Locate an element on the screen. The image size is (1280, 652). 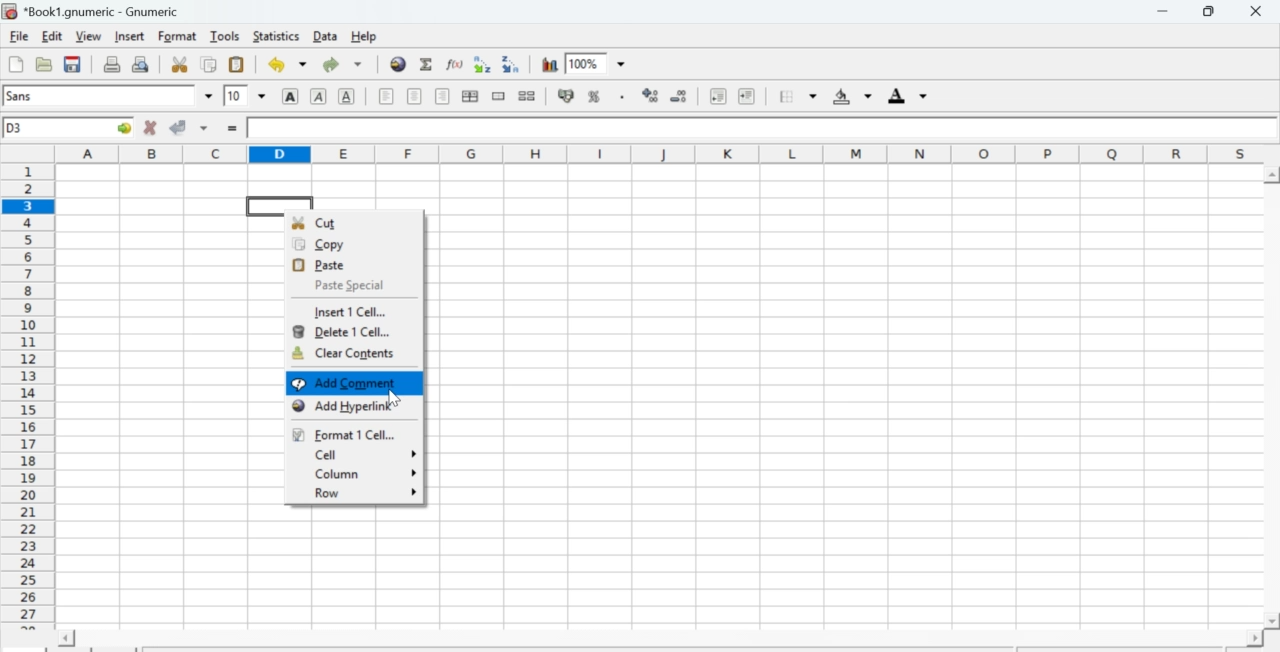
scroll down is located at coordinates (1272, 622).